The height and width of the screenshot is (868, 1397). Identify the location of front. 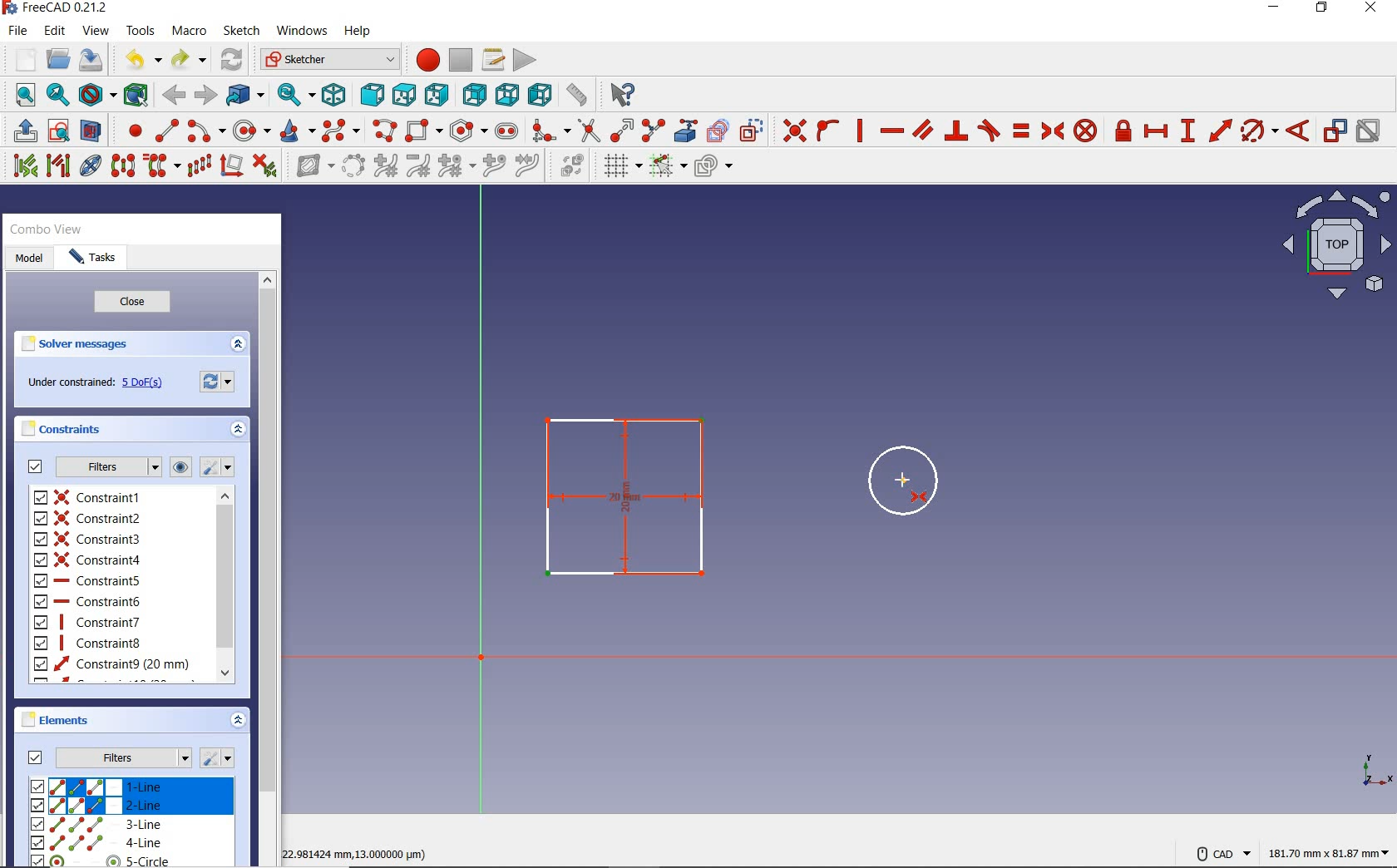
(371, 94).